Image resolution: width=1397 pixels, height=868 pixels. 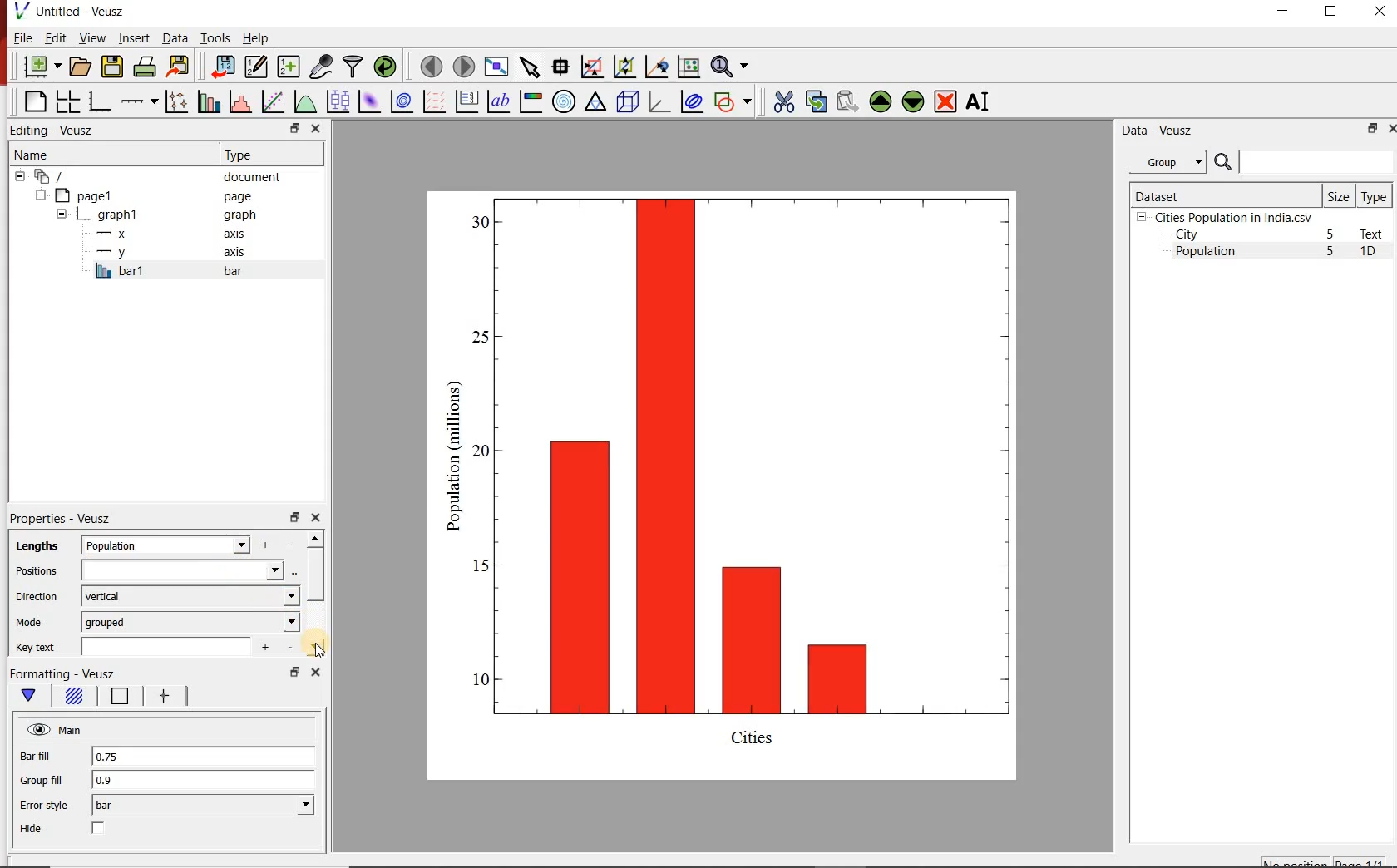 What do you see at coordinates (1375, 195) in the screenshot?
I see `Type` at bounding box center [1375, 195].